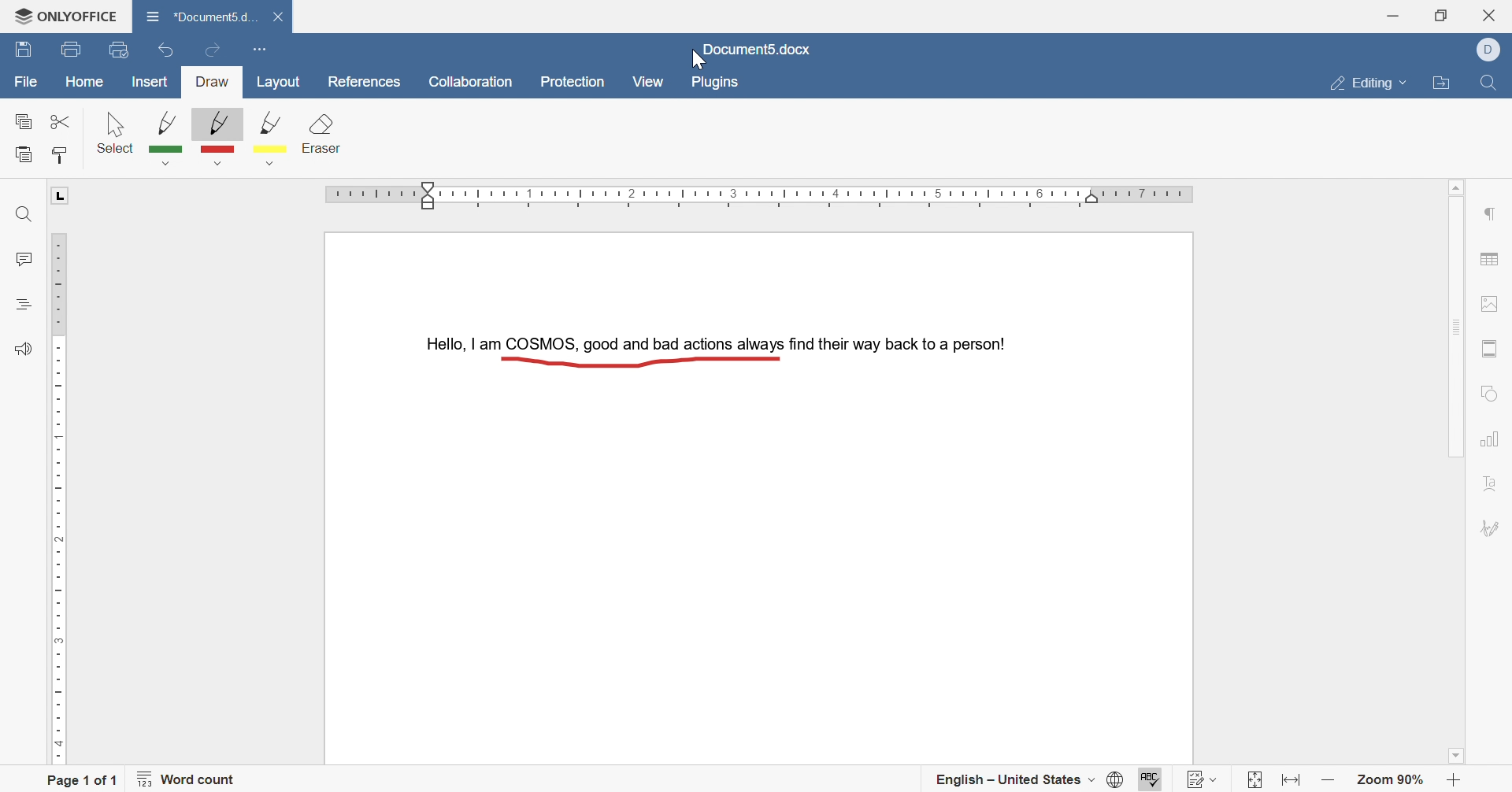 This screenshot has height=792, width=1512. I want to click on minimize, so click(1392, 13).